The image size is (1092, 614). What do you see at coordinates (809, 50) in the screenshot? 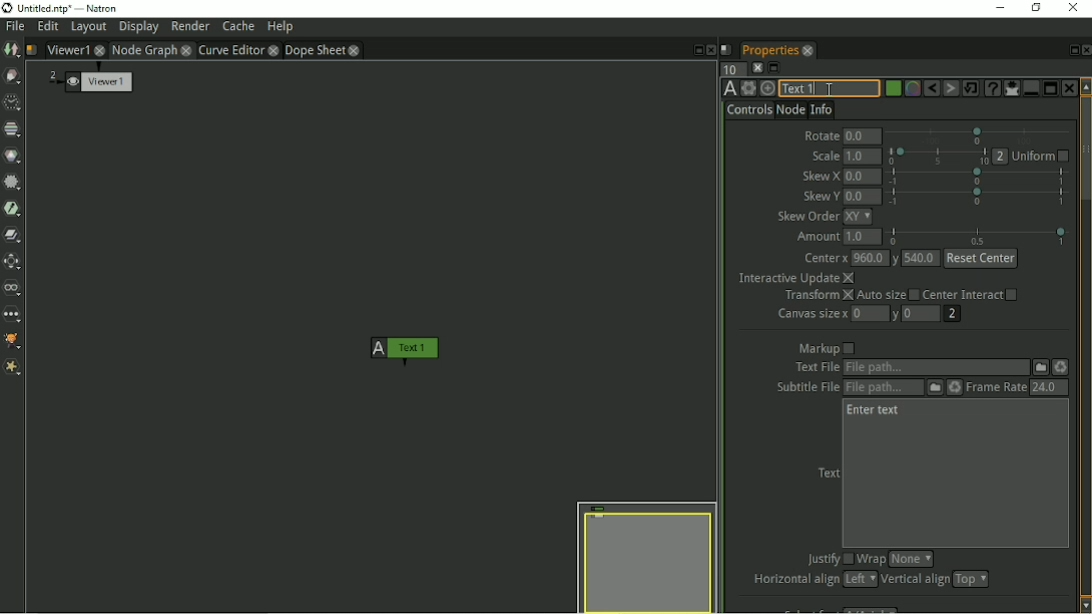
I see `close` at bounding box center [809, 50].